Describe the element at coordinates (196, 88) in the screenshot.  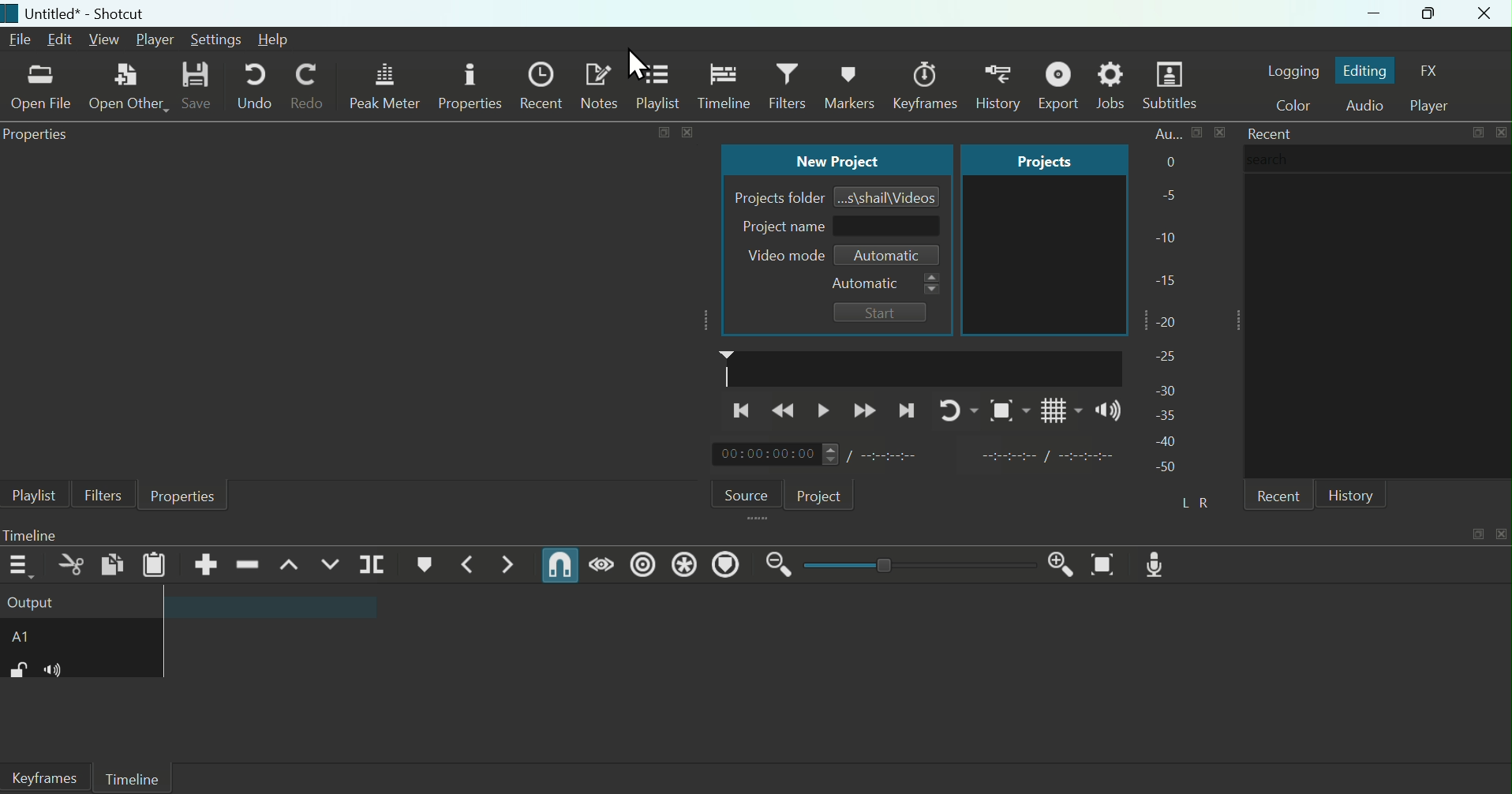
I see `Save` at that location.